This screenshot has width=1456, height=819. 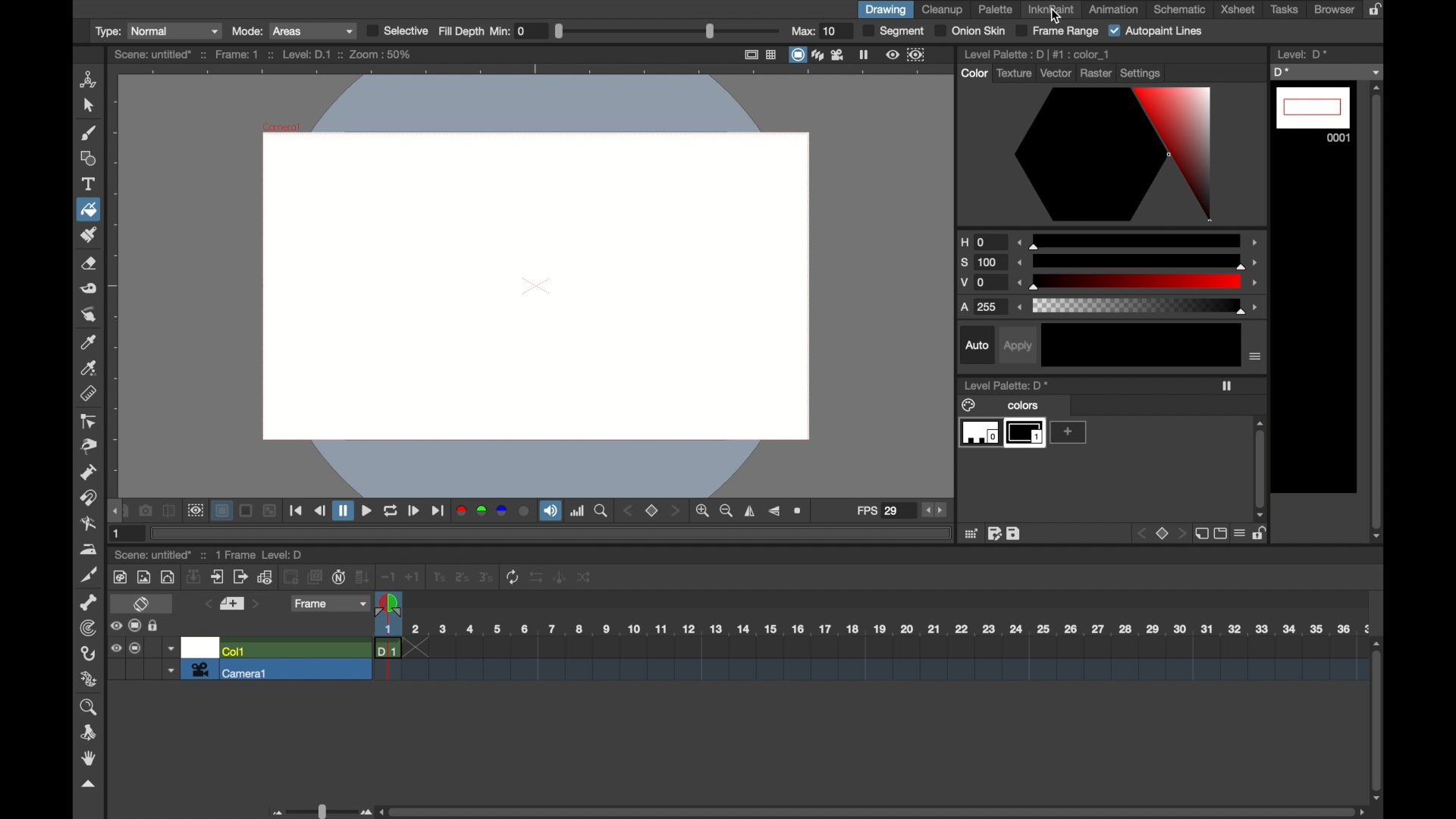 I want to click on stop, so click(x=1160, y=534).